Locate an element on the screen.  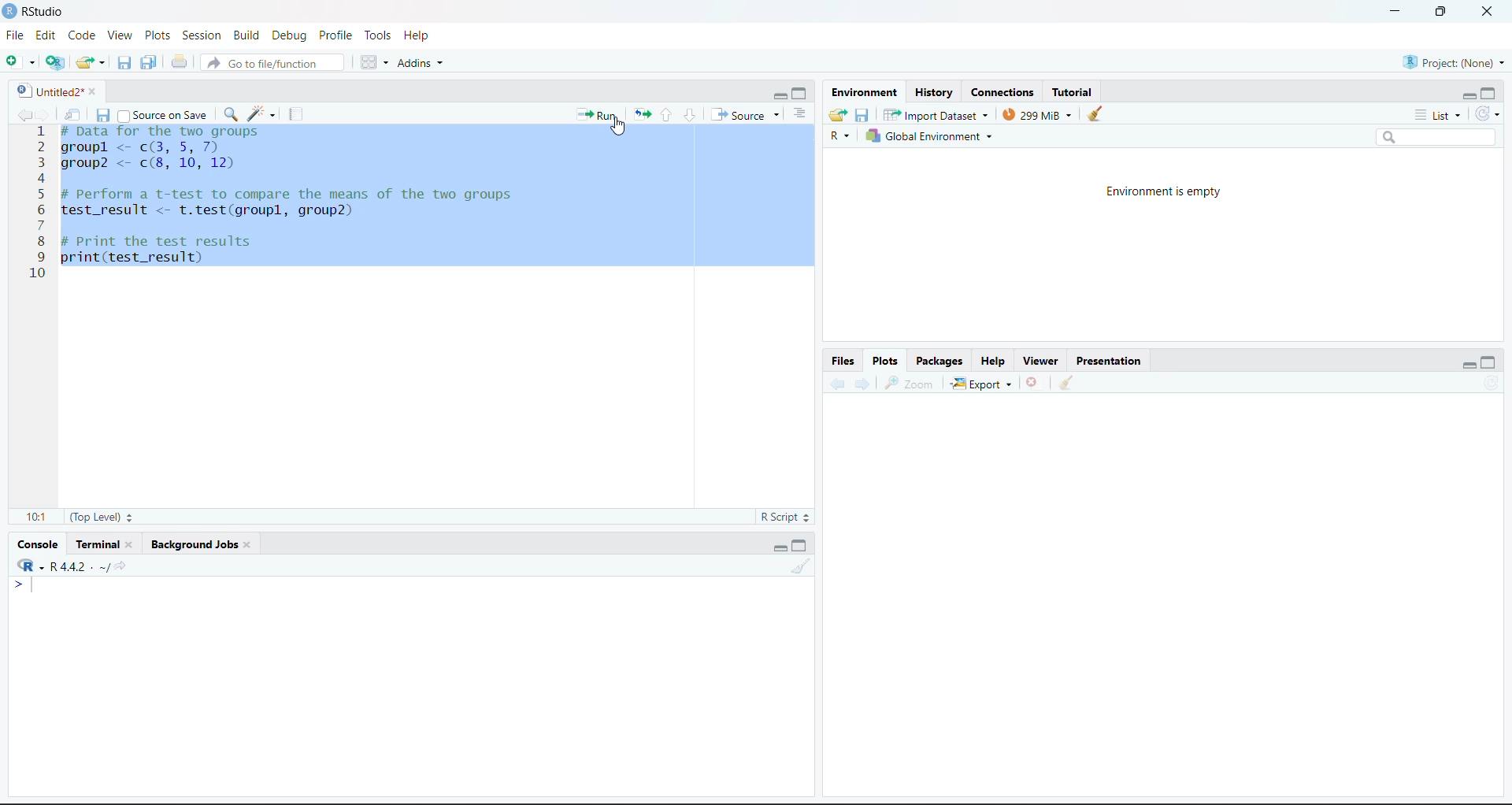
save current document is located at coordinates (124, 61).